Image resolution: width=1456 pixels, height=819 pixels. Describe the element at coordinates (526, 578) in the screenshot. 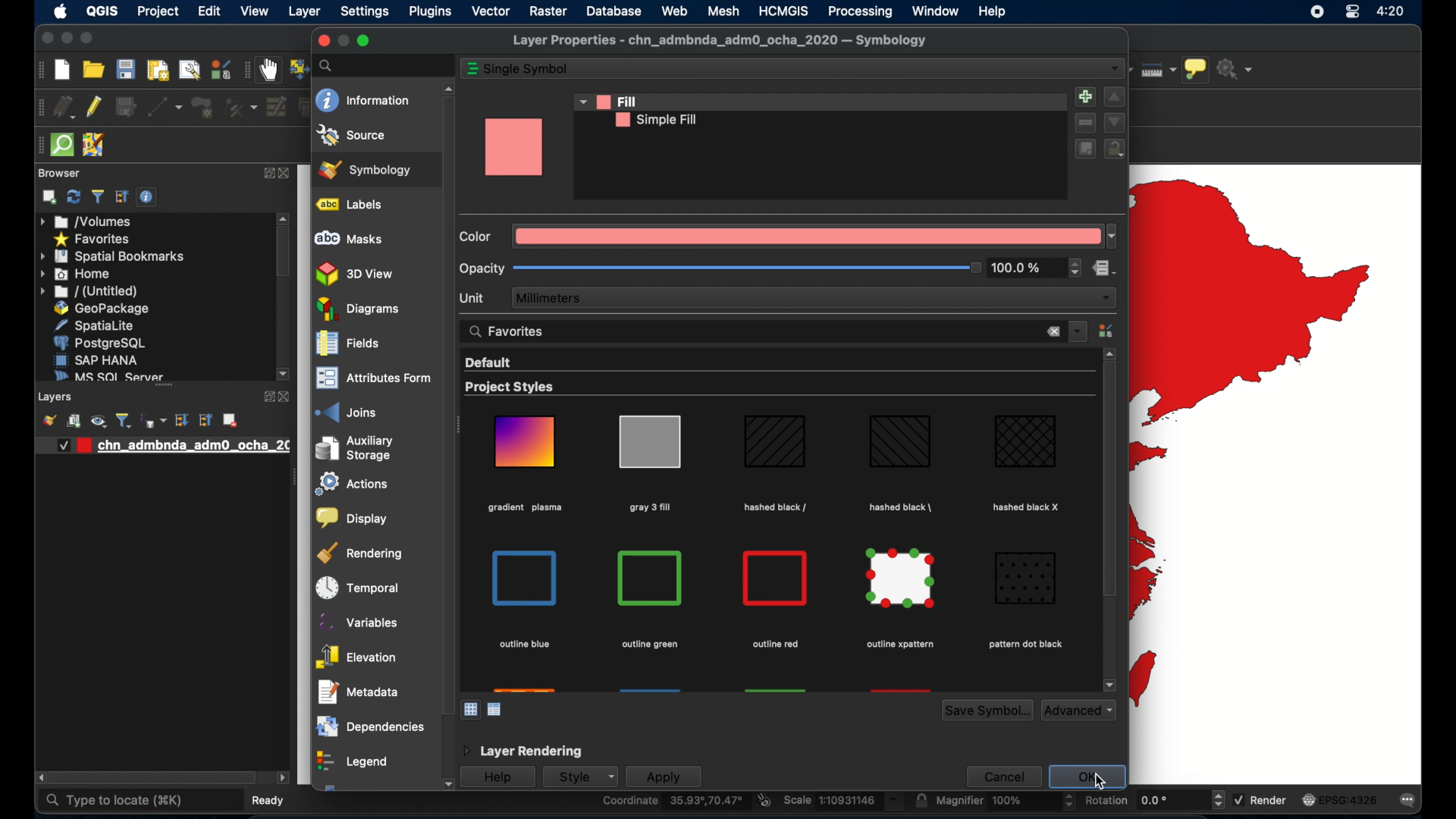

I see `Gradient preview ` at that location.